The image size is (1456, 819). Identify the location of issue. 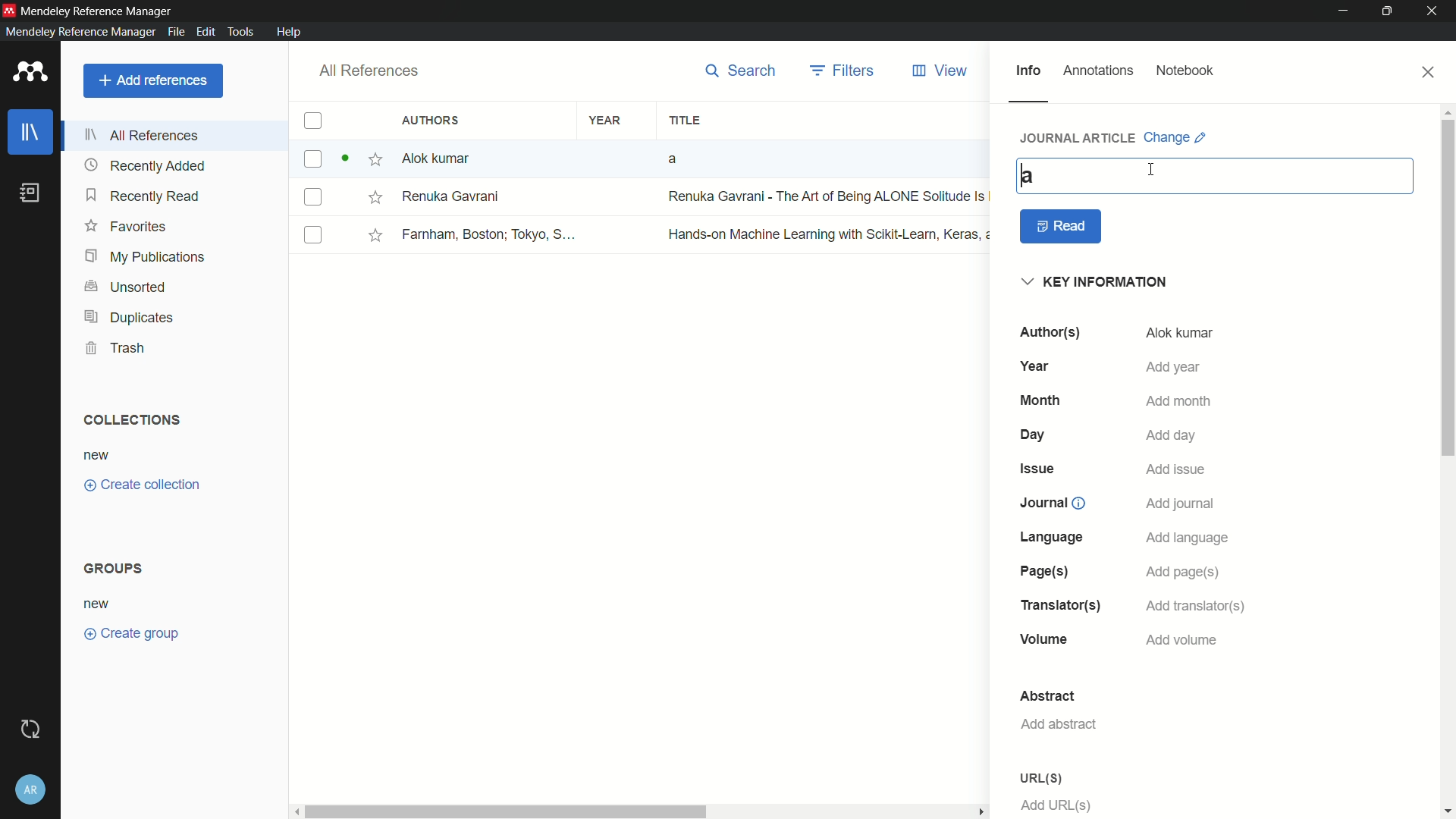
(1040, 468).